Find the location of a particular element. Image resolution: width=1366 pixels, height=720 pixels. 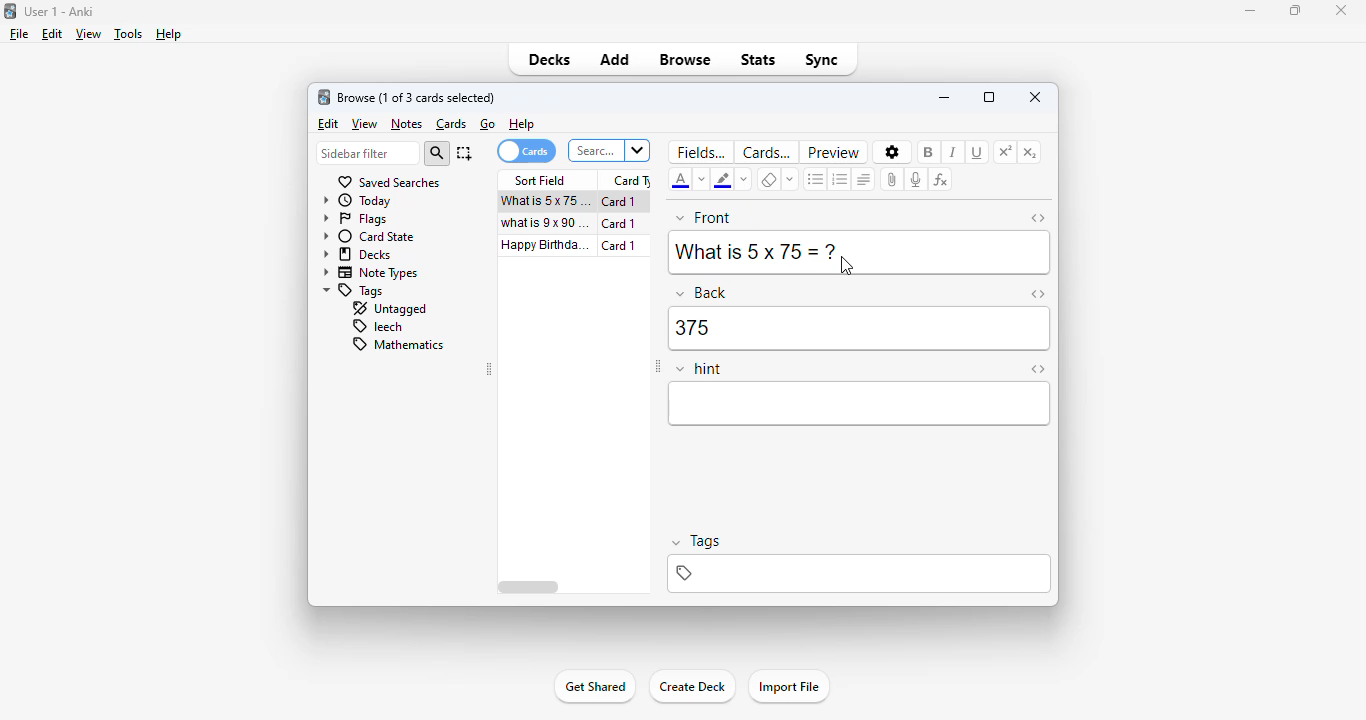

mathematics is located at coordinates (400, 345).